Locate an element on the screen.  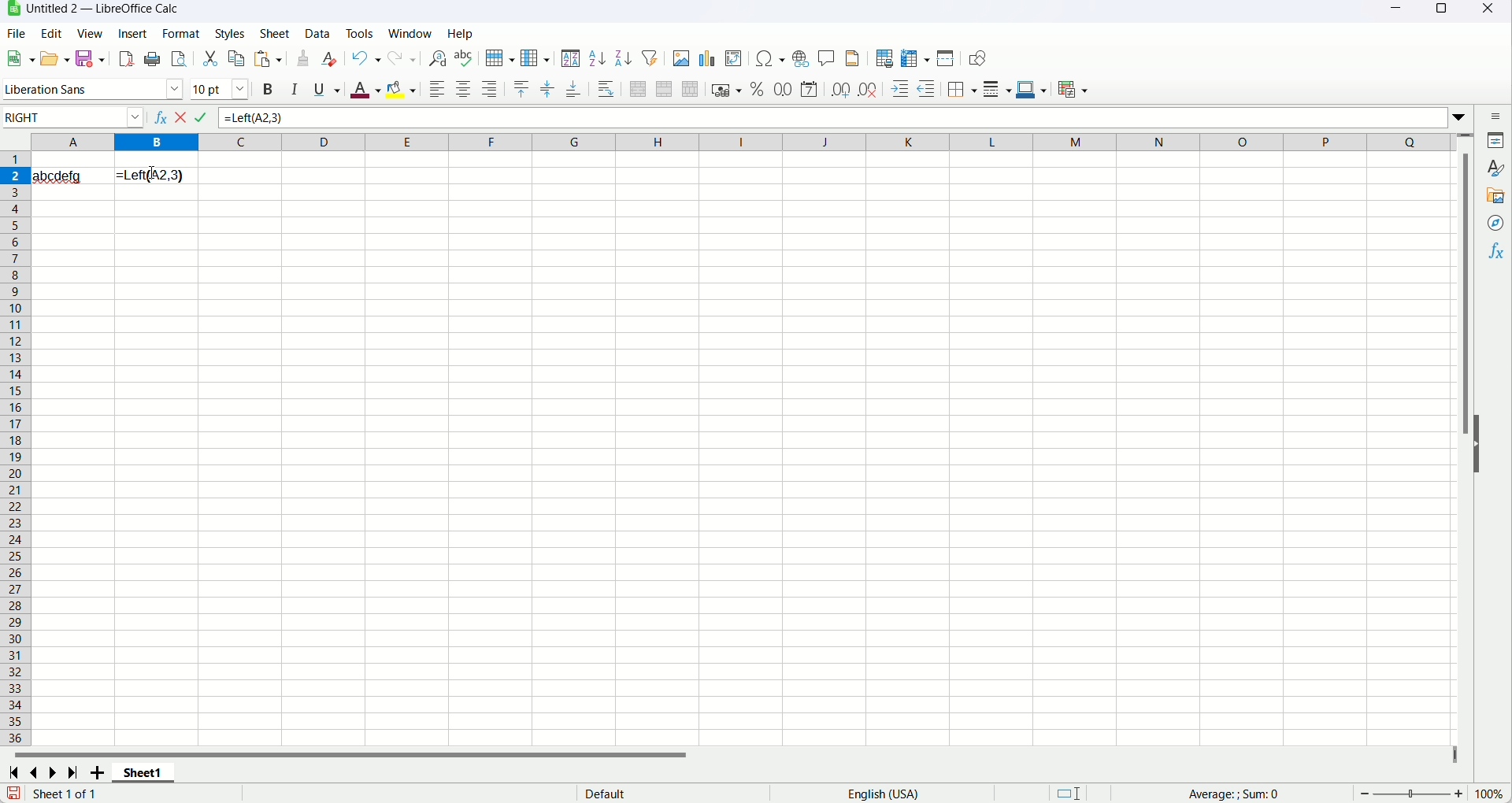
insert special character is located at coordinates (769, 60).